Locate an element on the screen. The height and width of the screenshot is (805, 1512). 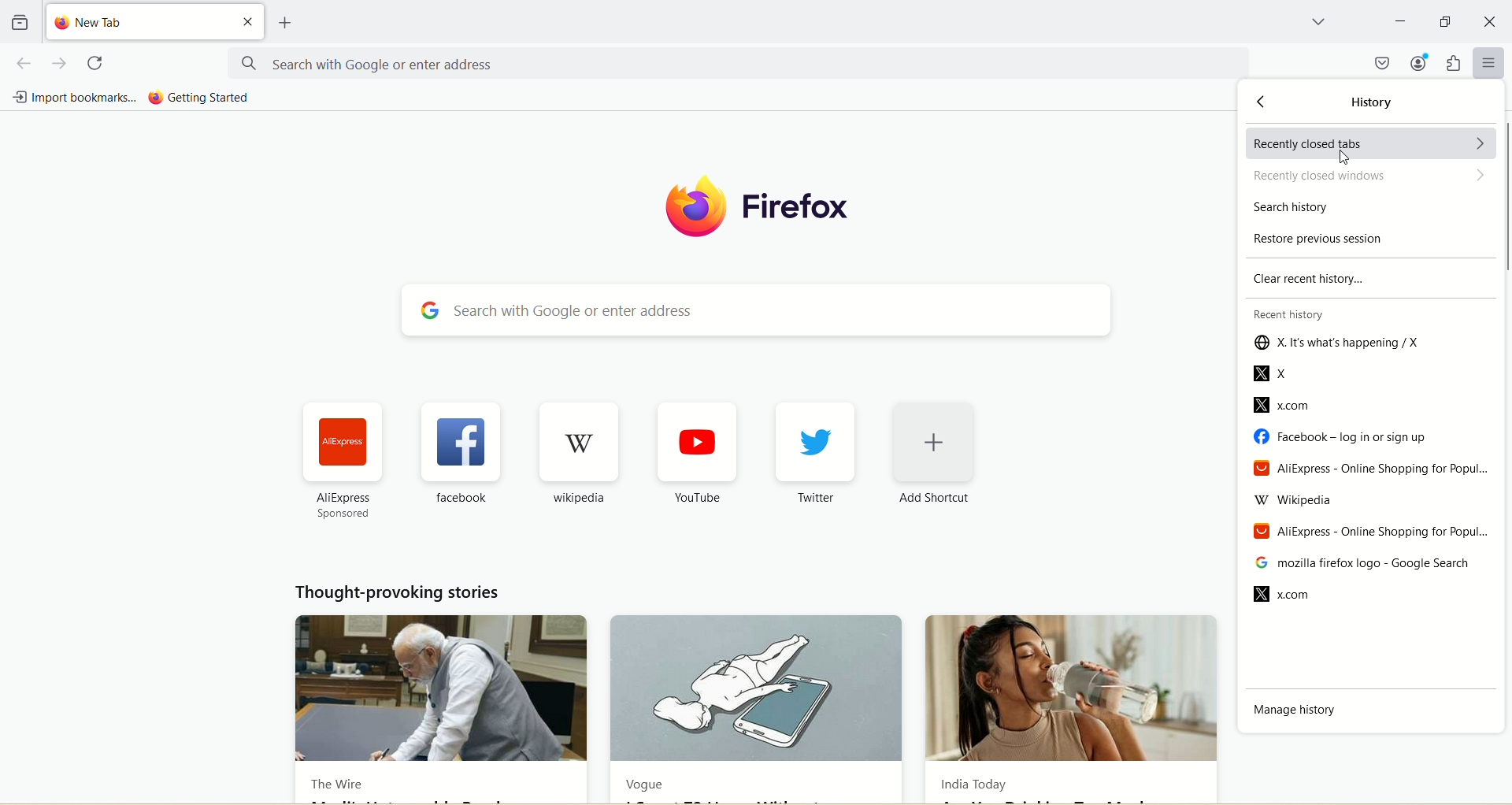
Aliexpress is located at coordinates (1369, 529).